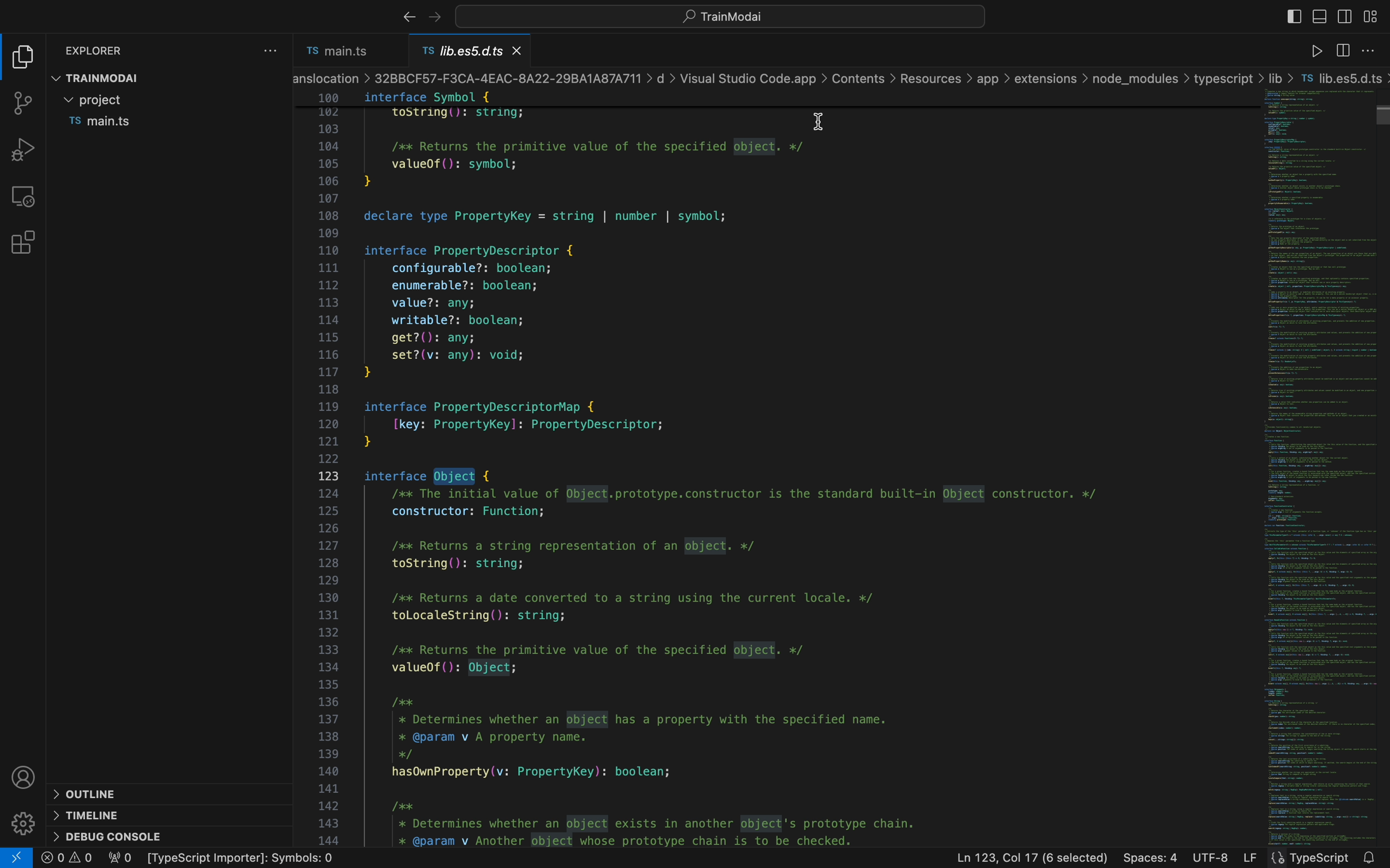  I want to click on Prettier, so click(1319, 855).